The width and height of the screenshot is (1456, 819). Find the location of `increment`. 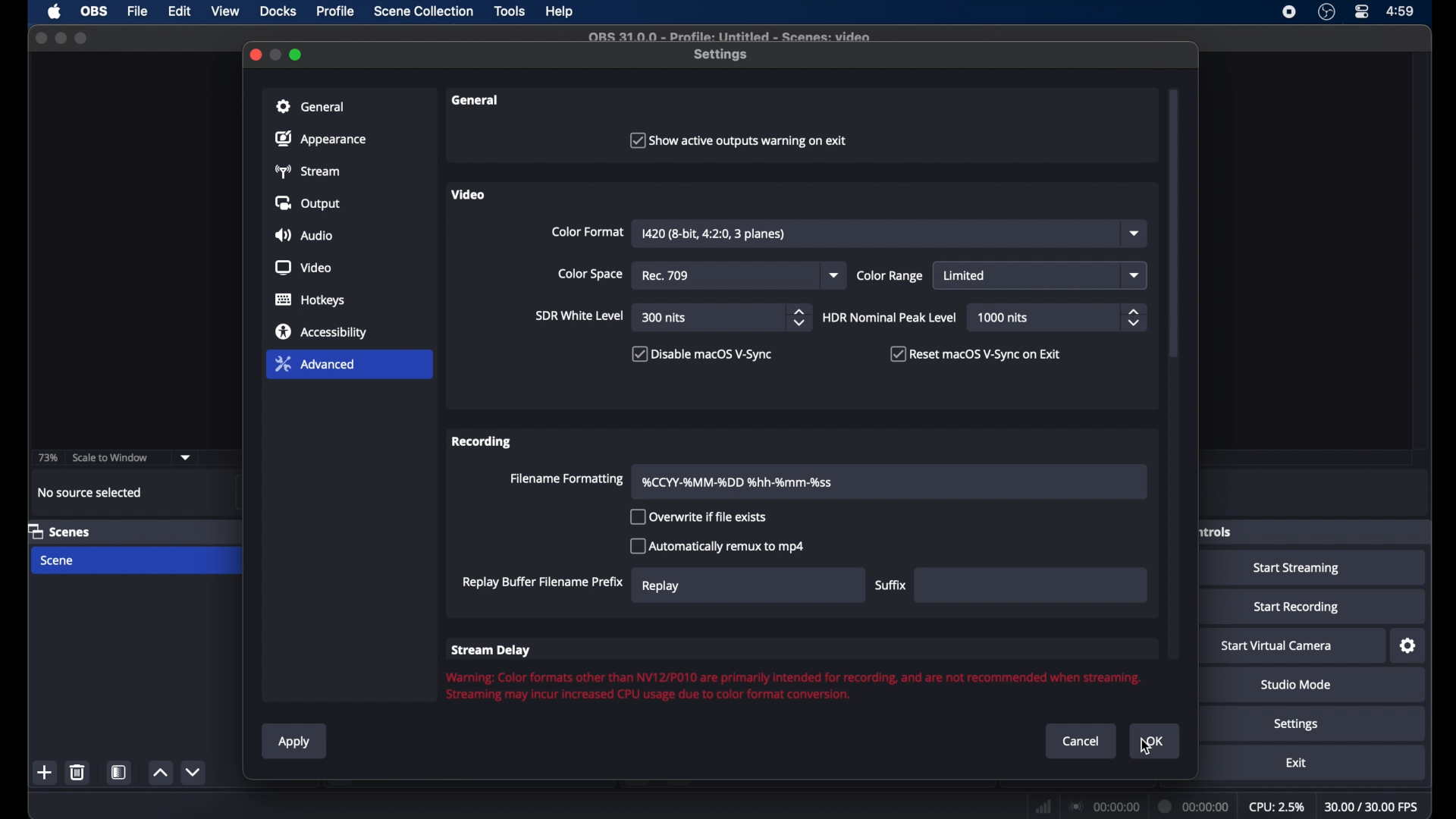

increment is located at coordinates (161, 773).